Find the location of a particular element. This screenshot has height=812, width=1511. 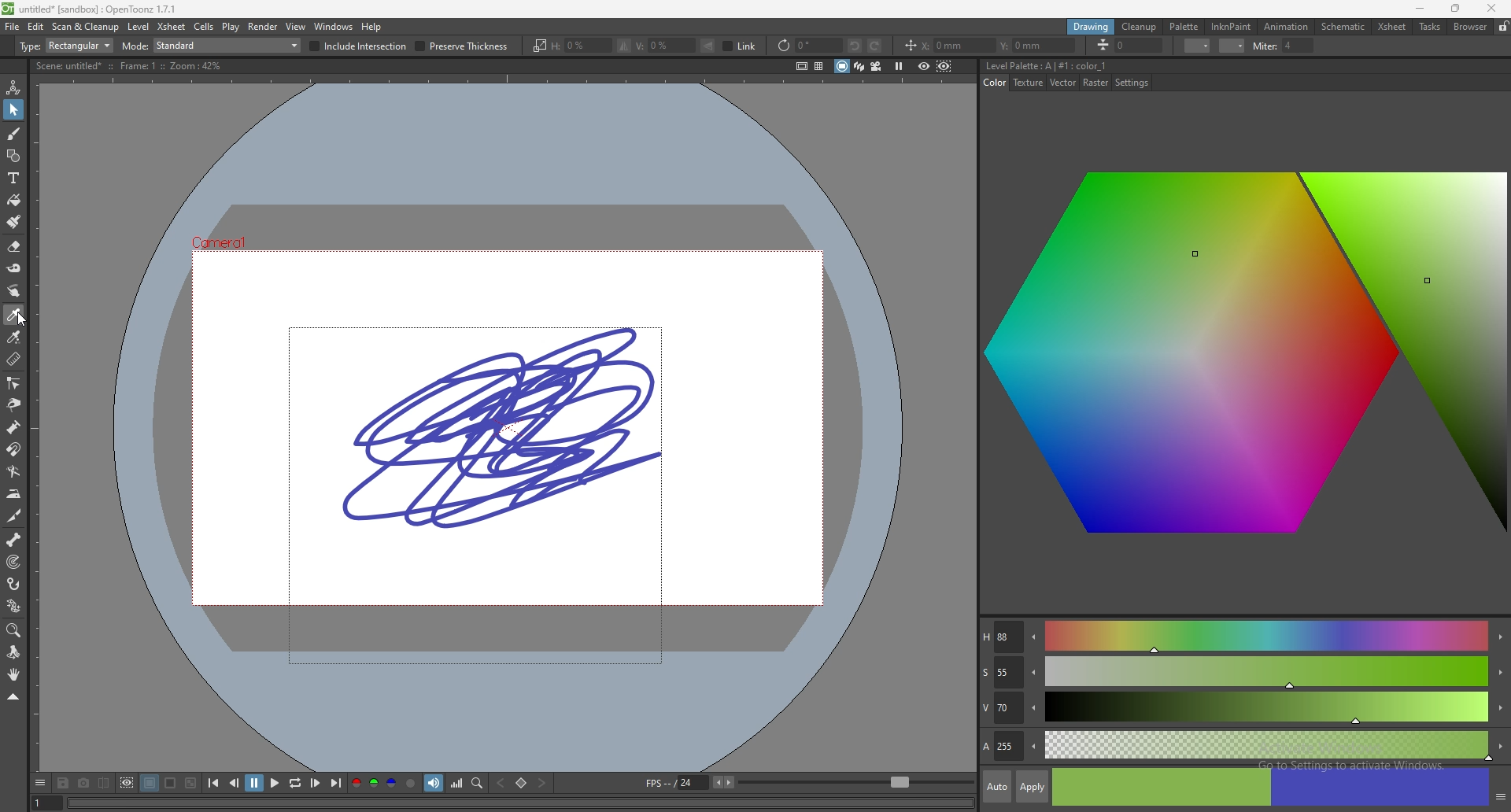

sub camera preview is located at coordinates (944, 66).